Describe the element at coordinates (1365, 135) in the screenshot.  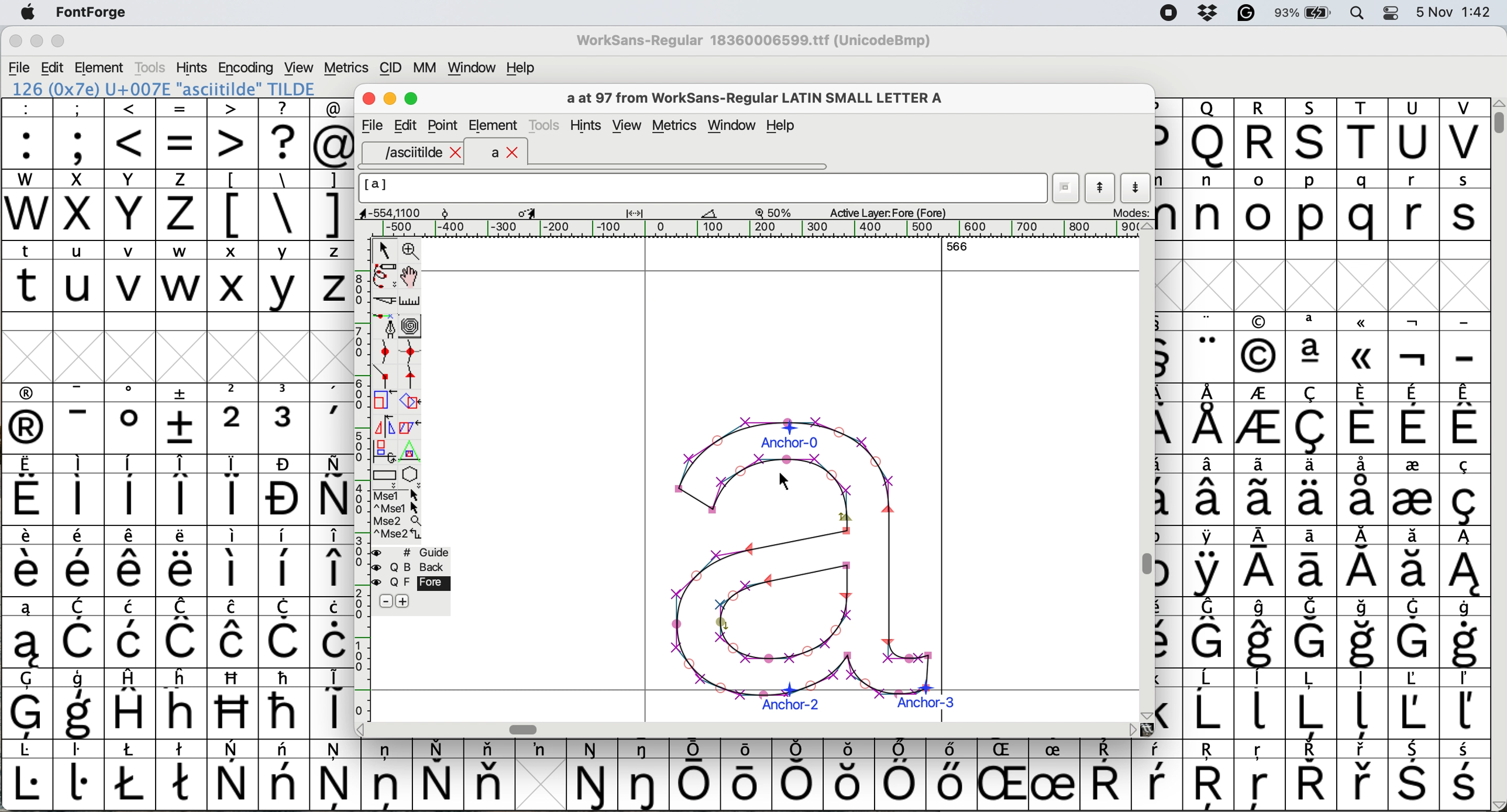
I see `T` at that location.